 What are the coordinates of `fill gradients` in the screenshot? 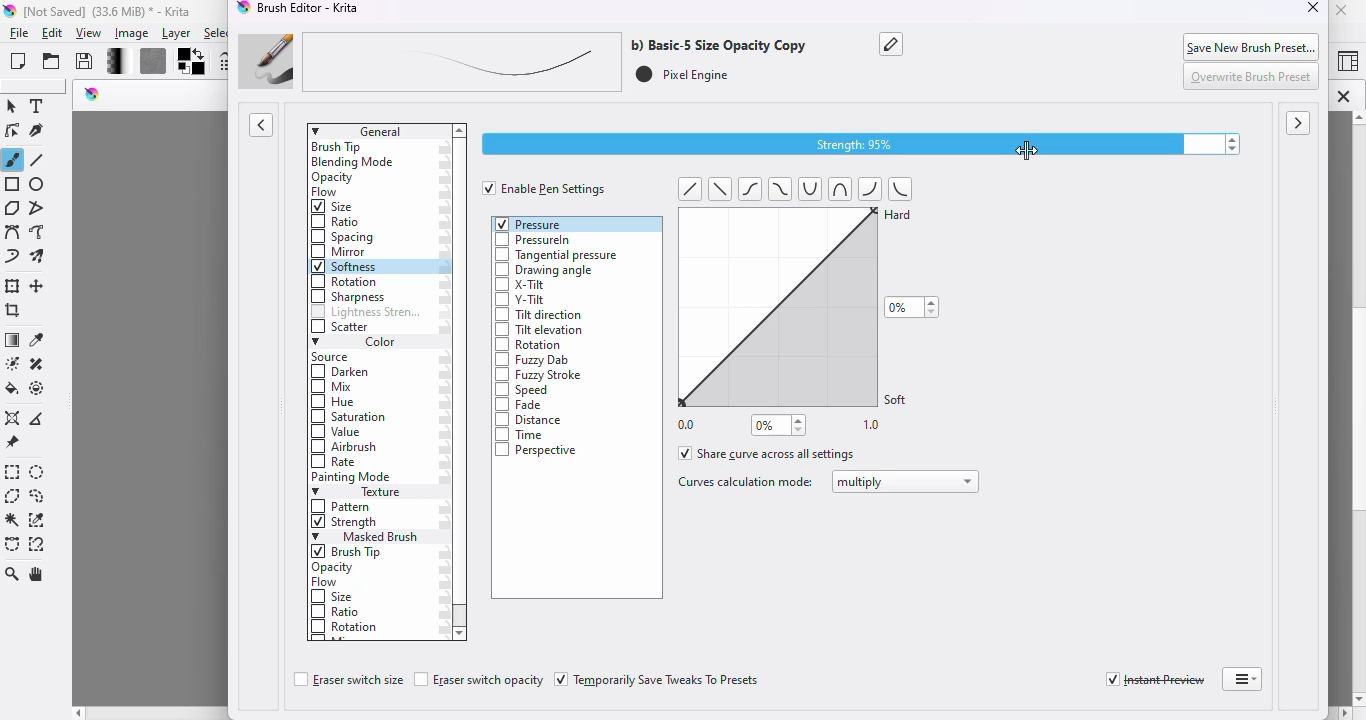 It's located at (111, 62).